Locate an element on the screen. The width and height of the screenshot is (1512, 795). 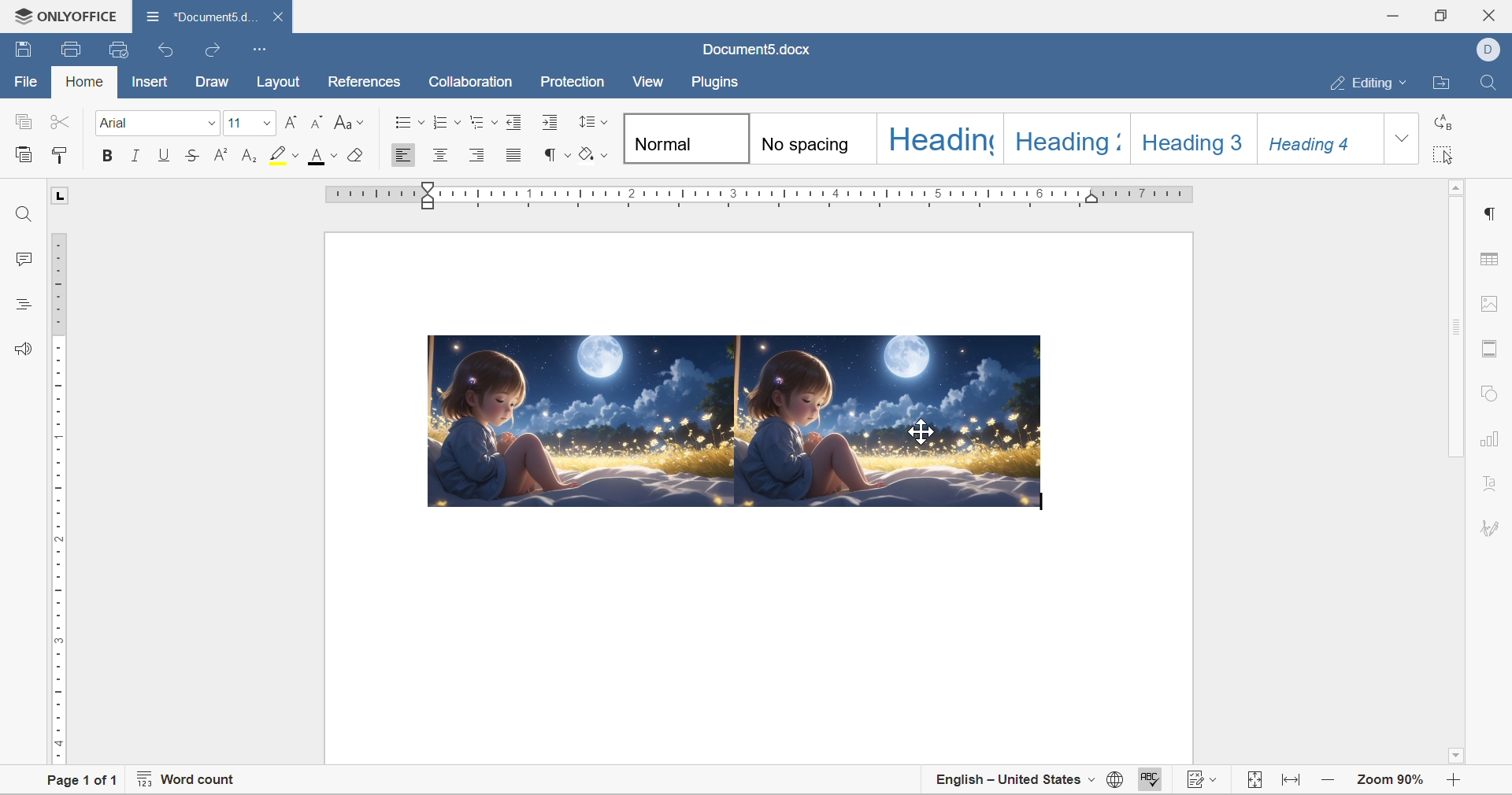
Increment font size is located at coordinates (289, 121).